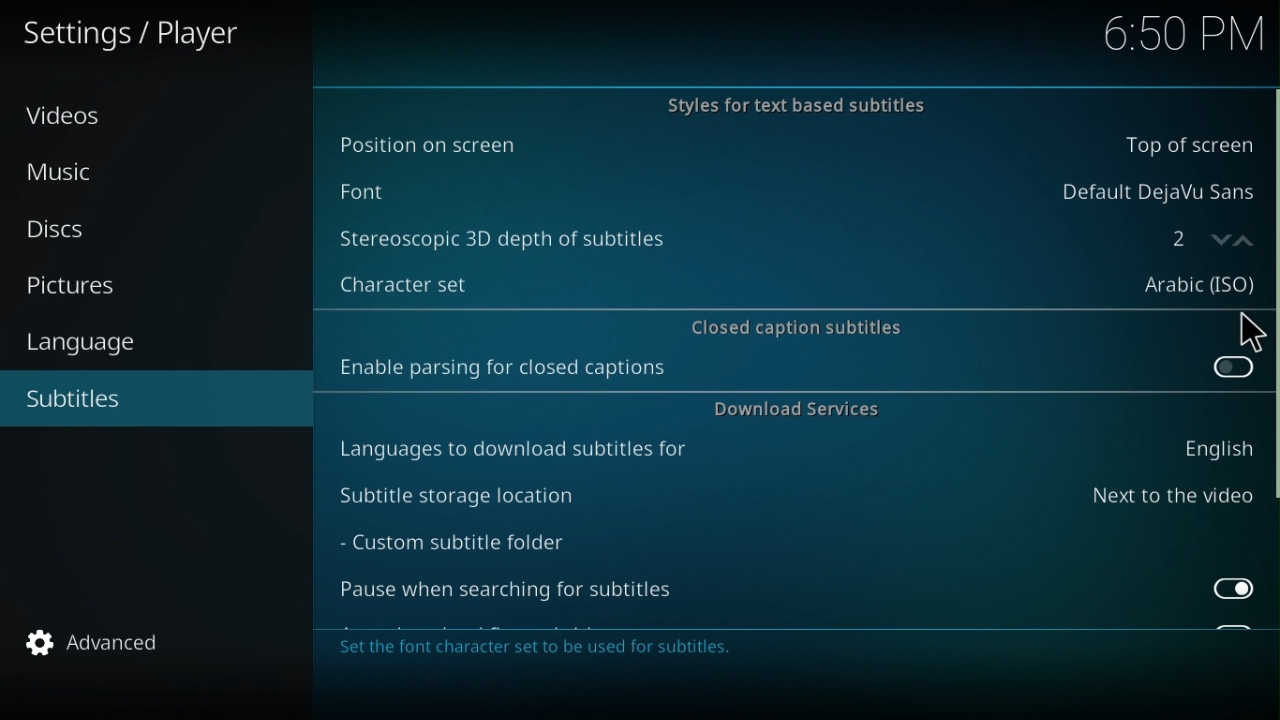 The width and height of the screenshot is (1280, 720). Describe the element at coordinates (154, 35) in the screenshot. I see `Settings/player` at that location.